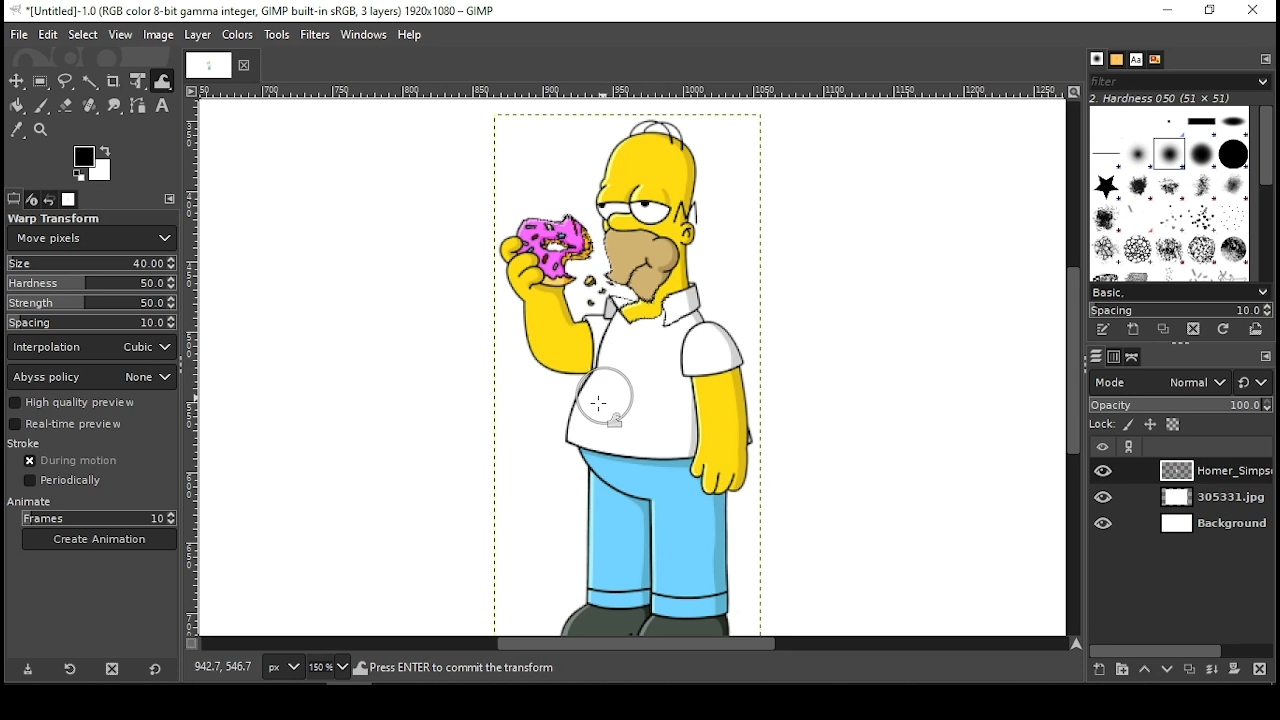  I want to click on edit this brush, so click(1103, 330).